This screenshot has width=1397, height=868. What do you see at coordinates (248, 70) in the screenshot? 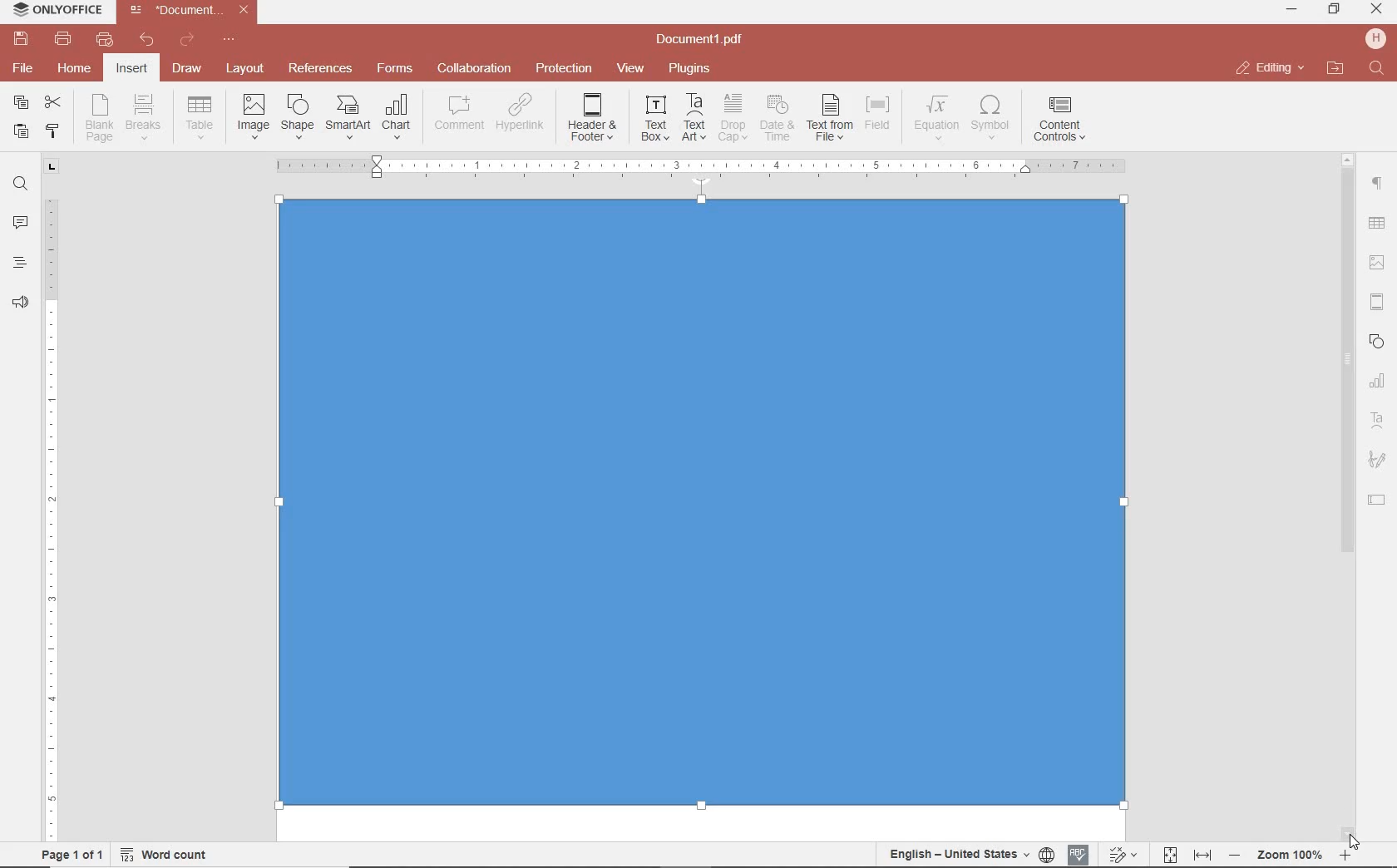
I see `layout` at bounding box center [248, 70].